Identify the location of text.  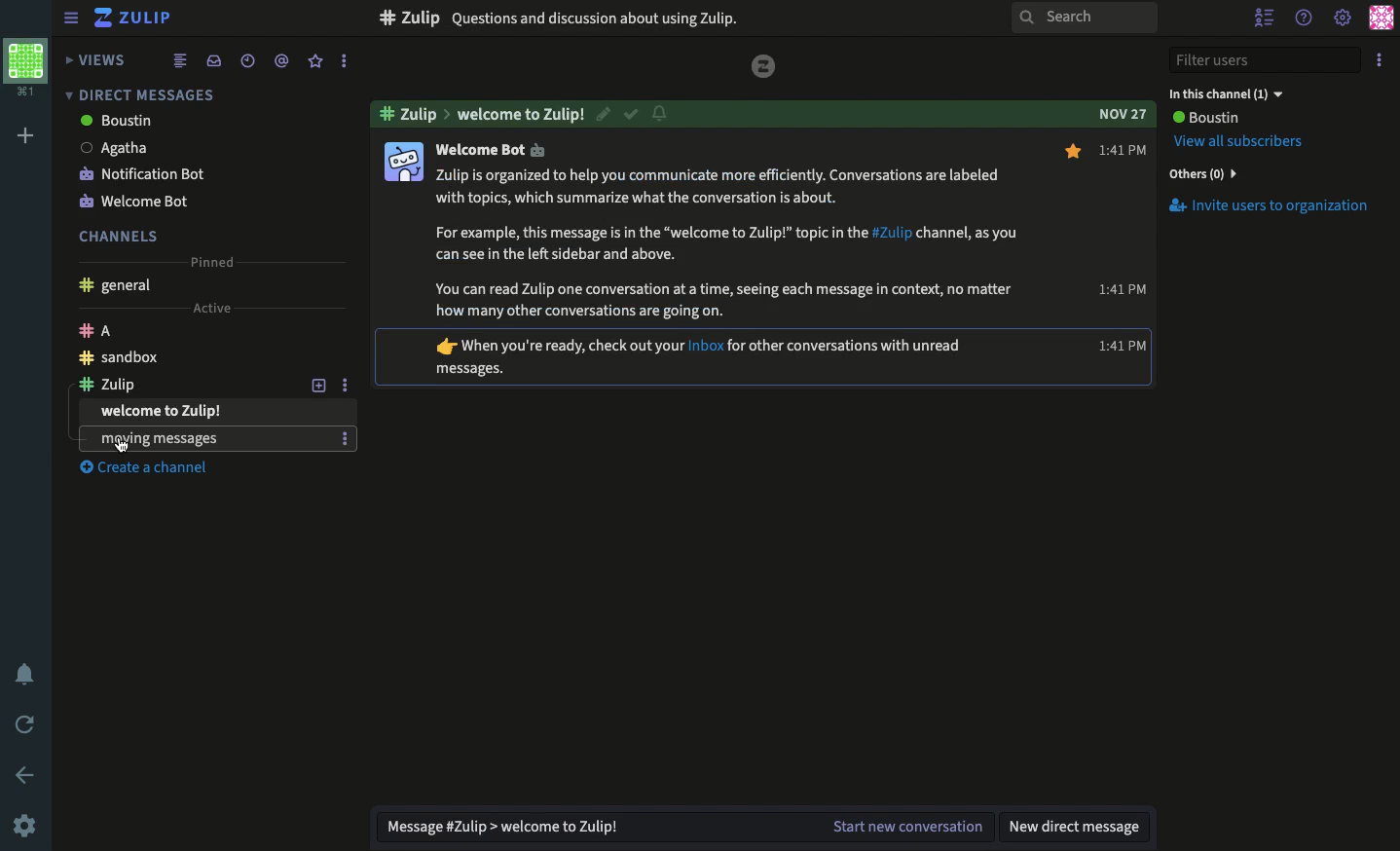
(467, 369).